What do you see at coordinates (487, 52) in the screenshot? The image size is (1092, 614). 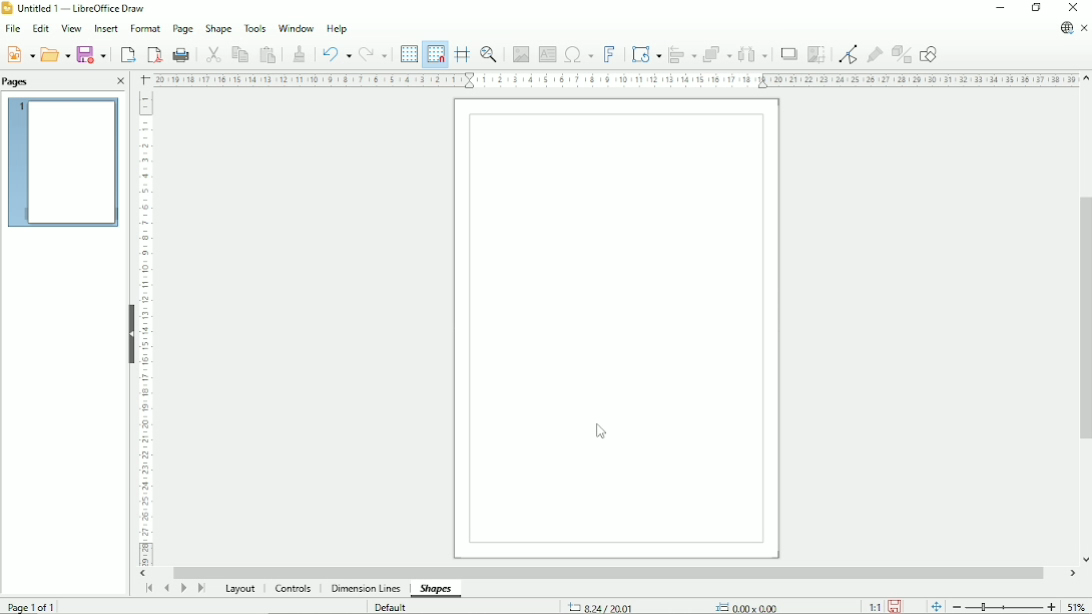 I see `Zoom & pan` at bounding box center [487, 52].